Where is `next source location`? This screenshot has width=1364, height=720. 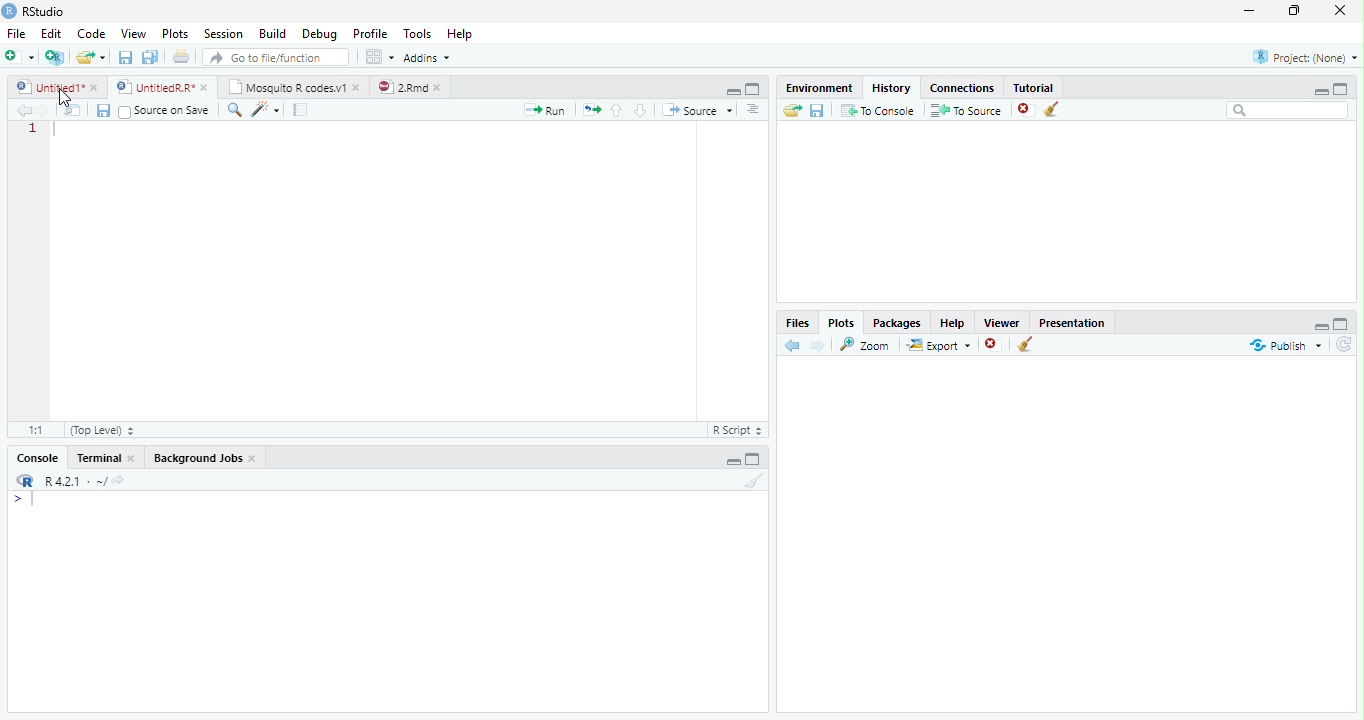
next source location is located at coordinates (44, 110).